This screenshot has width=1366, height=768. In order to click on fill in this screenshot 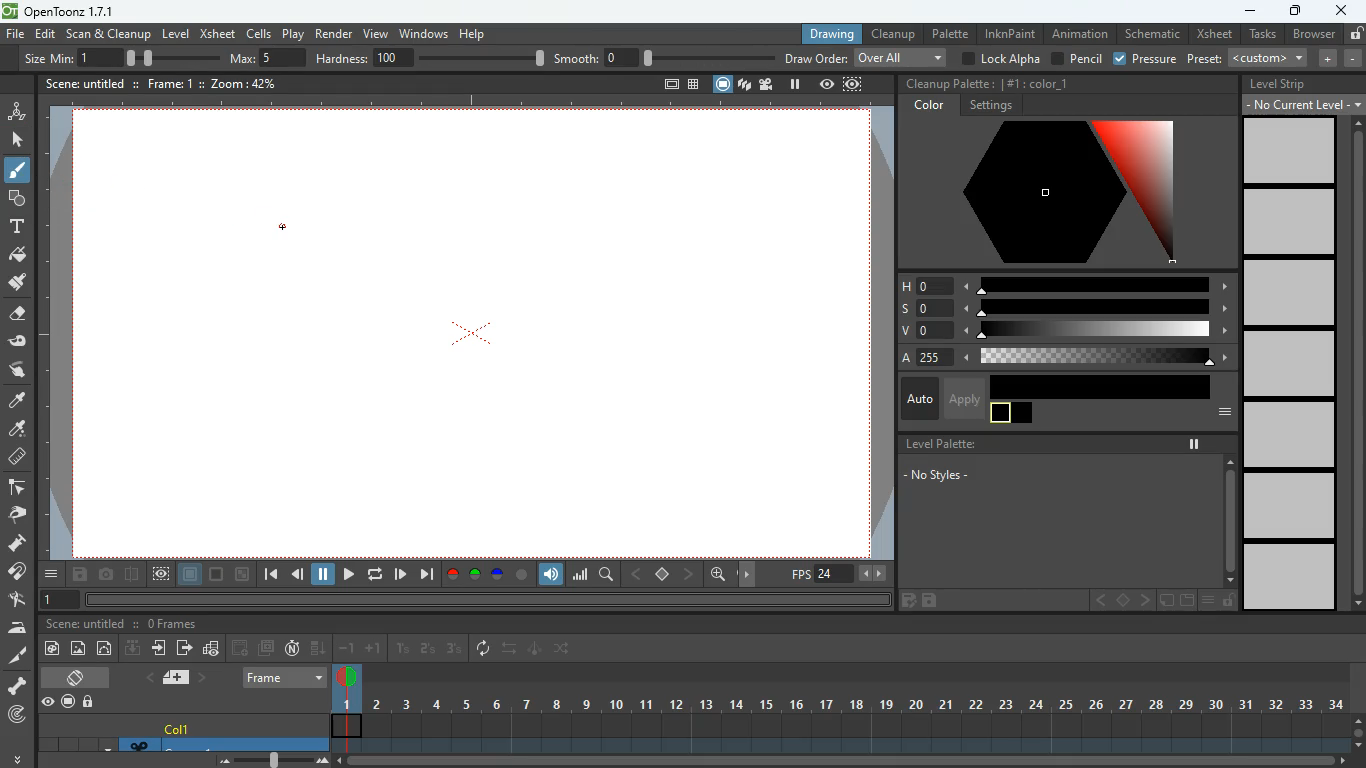, I will do `click(18, 256)`.